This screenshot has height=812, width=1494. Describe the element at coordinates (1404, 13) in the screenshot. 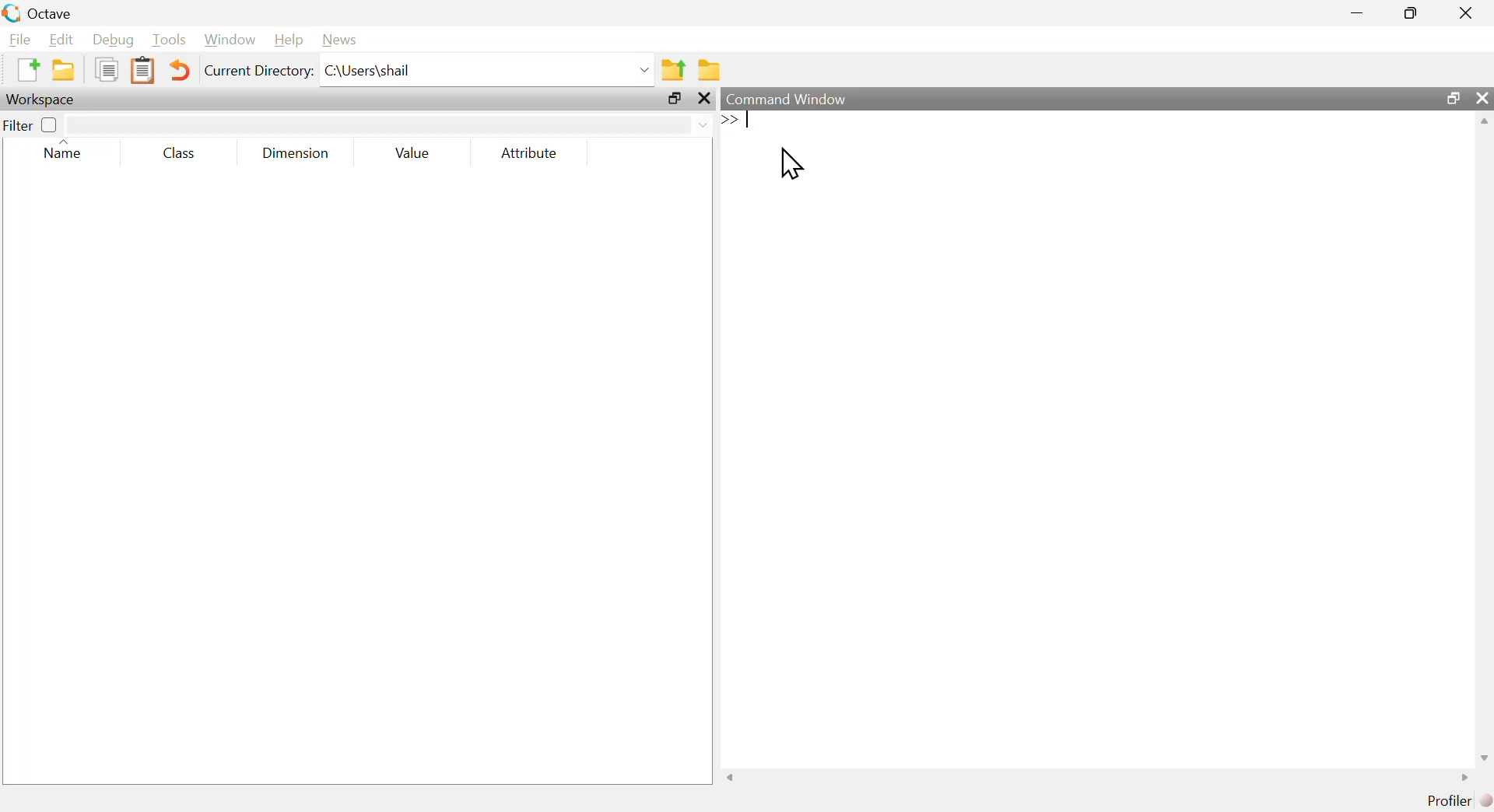

I see `restore down` at that location.